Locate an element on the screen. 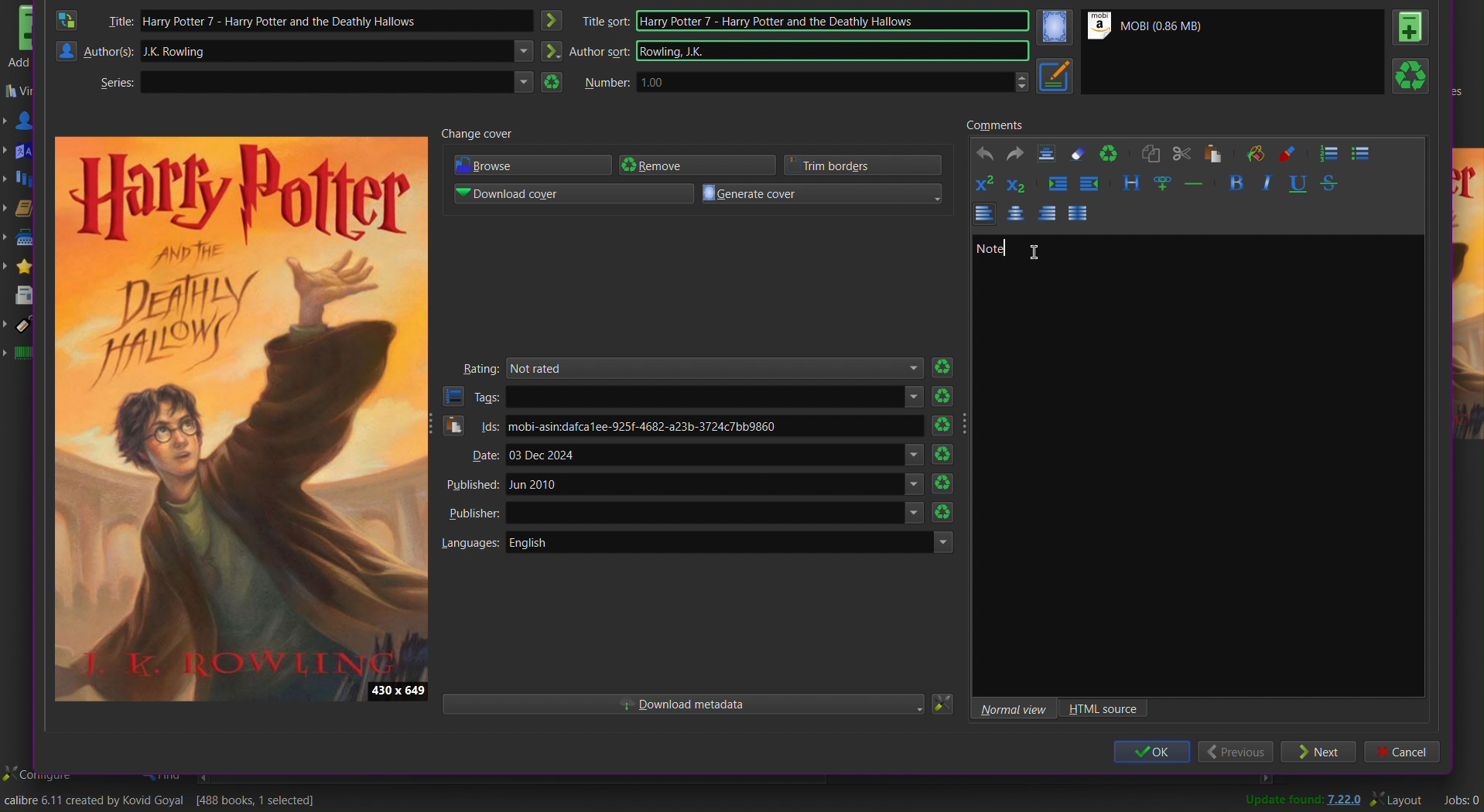  Browse is located at coordinates (535, 165).